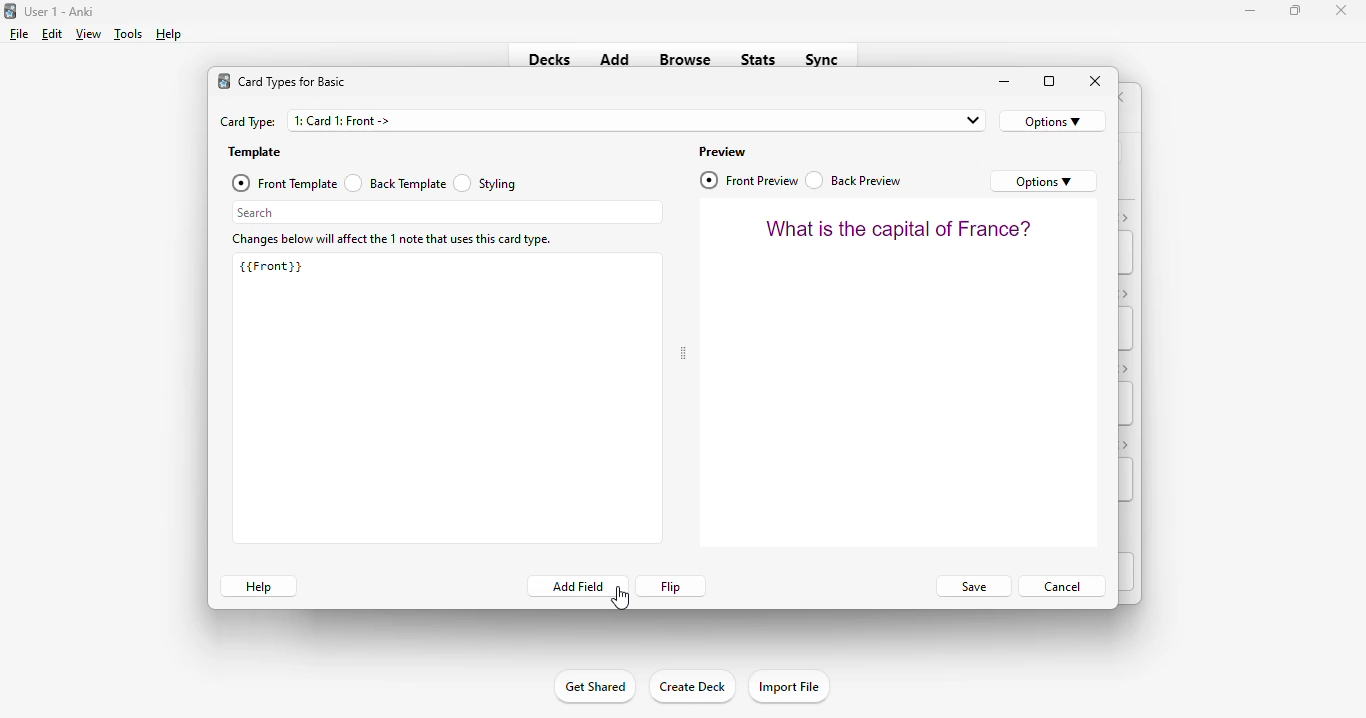 Image resolution: width=1366 pixels, height=718 pixels. Describe the element at coordinates (1044, 181) in the screenshot. I see `options` at that location.